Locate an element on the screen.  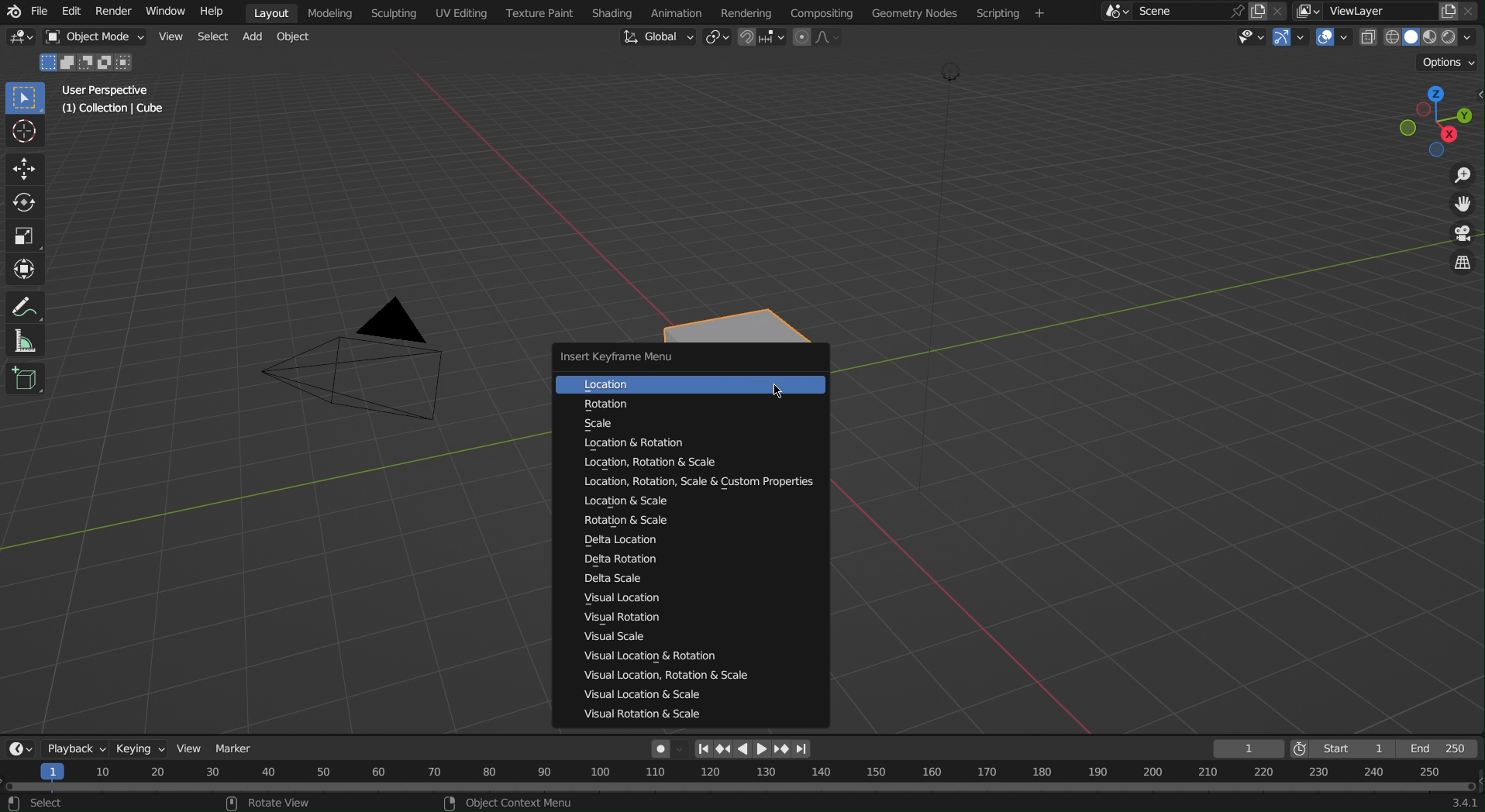
User Perspective is located at coordinates (105, 91).